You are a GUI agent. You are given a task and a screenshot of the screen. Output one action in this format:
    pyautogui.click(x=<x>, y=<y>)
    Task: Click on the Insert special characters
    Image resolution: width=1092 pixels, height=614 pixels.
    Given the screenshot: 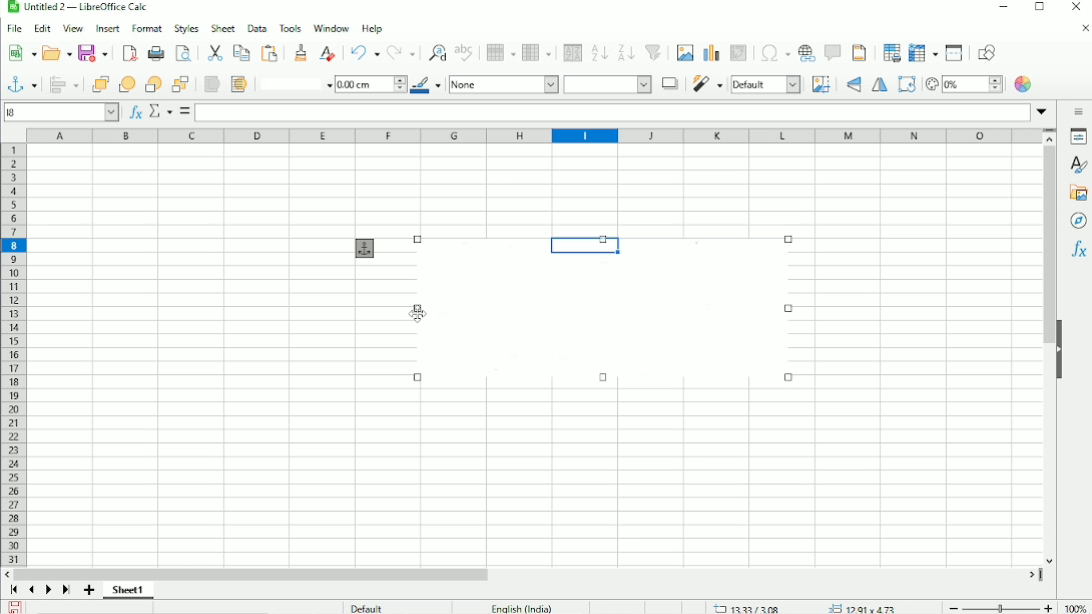 What is the action you would take?
    pyautogui.click(x=772, y=53)
    